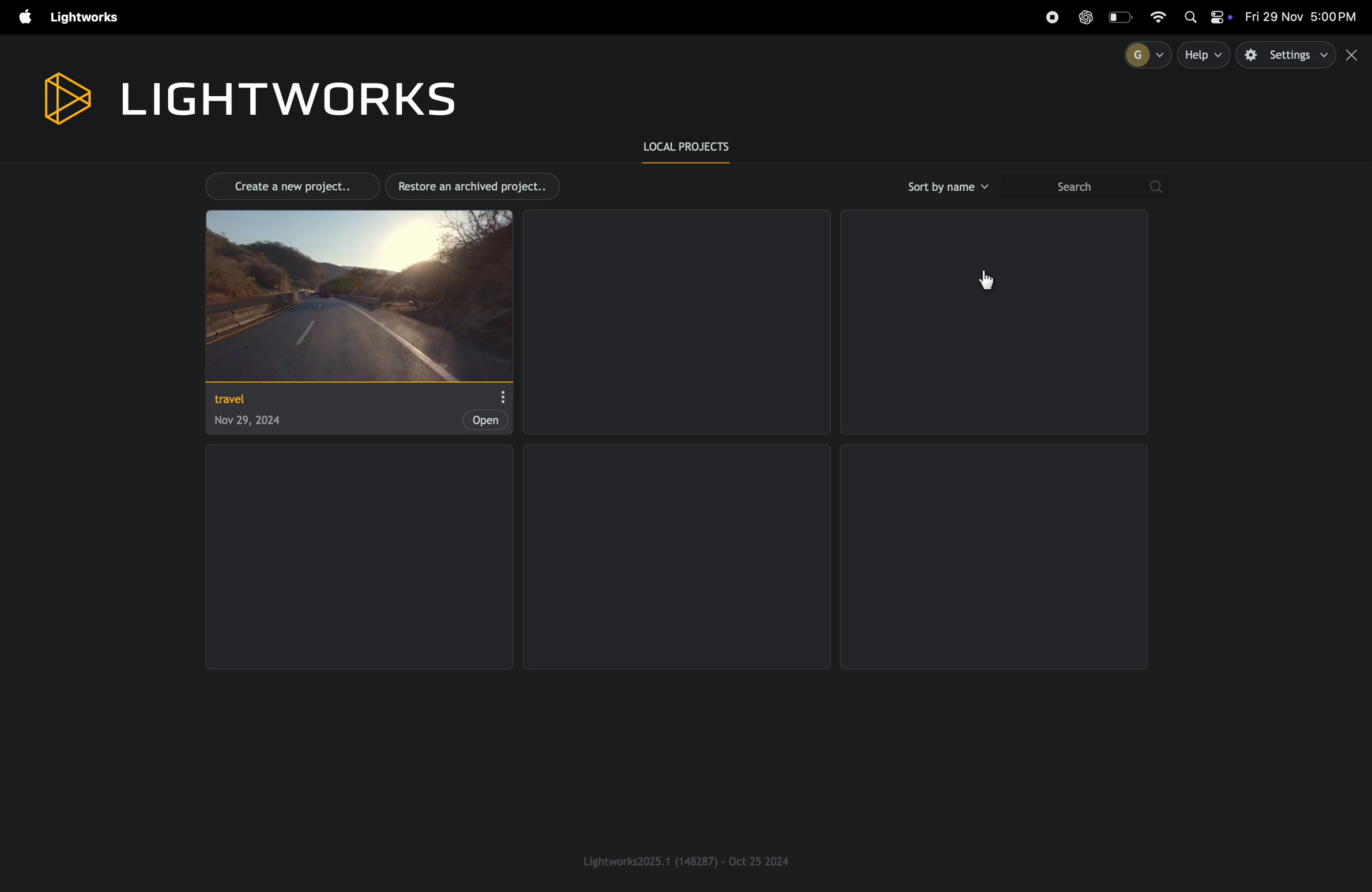 Image resolution: width=1372 pixels, height=892 pixels. Describe the element at coordinates (1051, 17) in the screenshot. I see `record` at that location.